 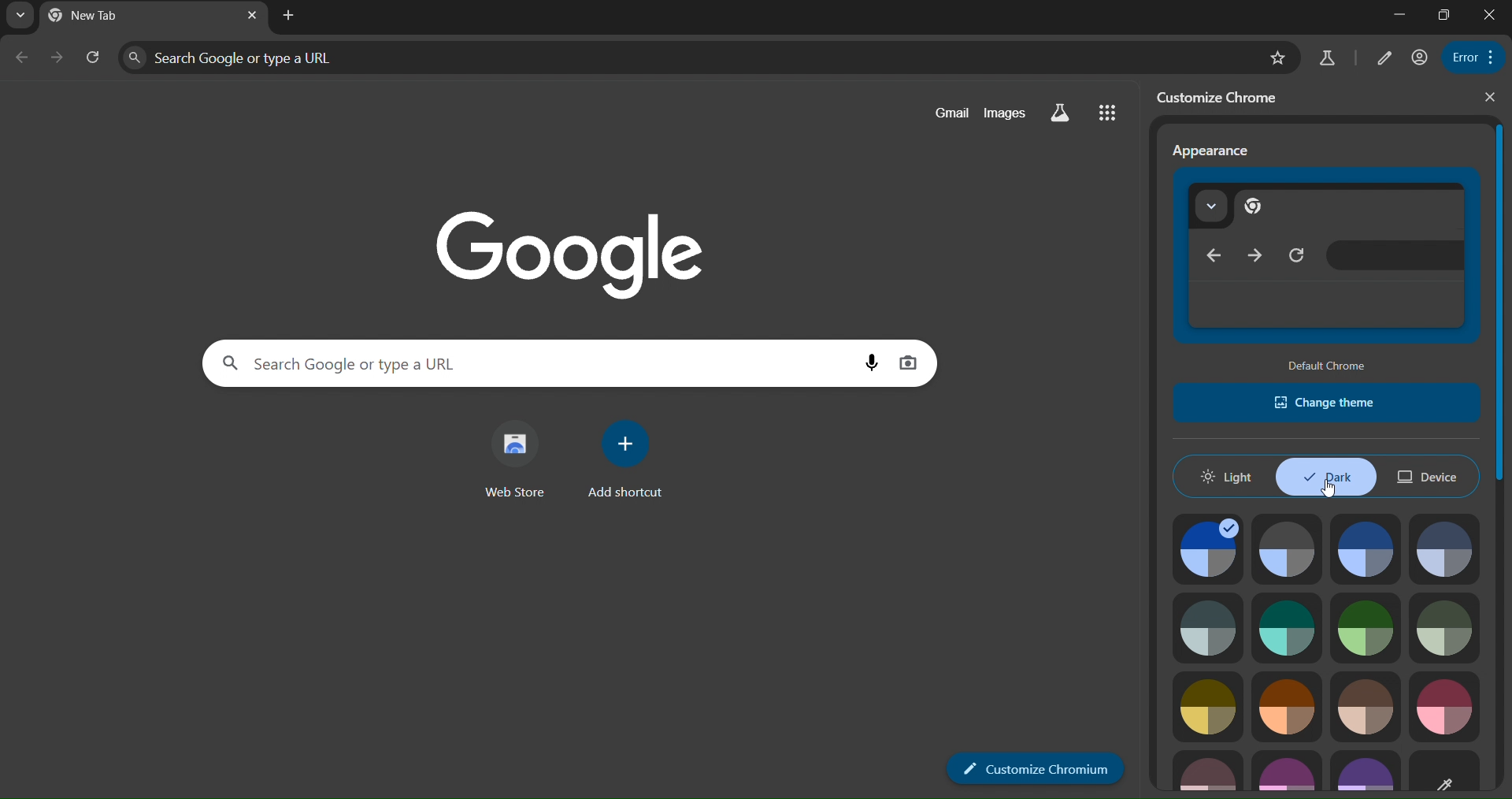 I want to click on device, so click(x=1425, y=473).